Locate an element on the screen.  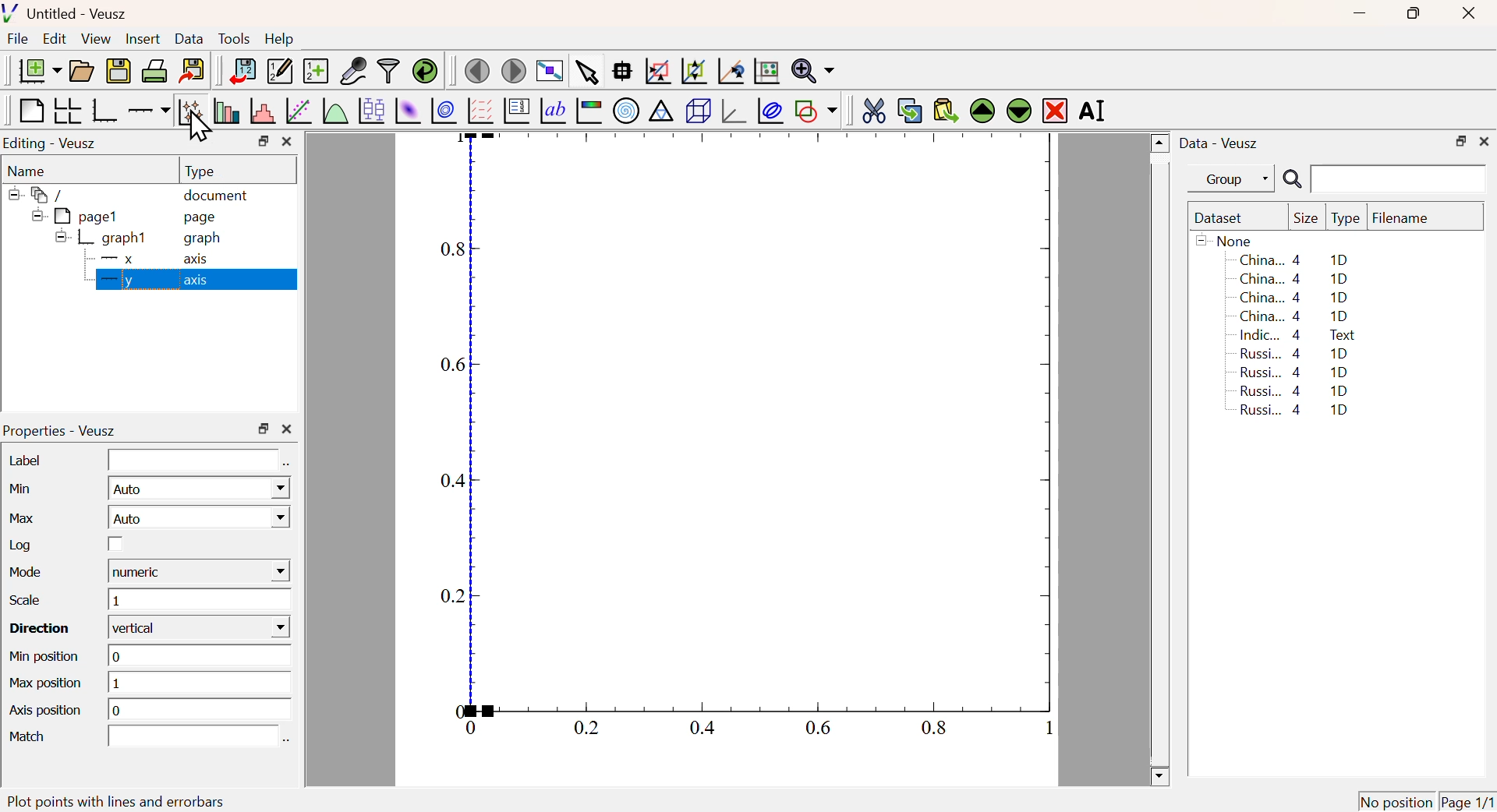
Scroll is located at coordinates (1160, 461).